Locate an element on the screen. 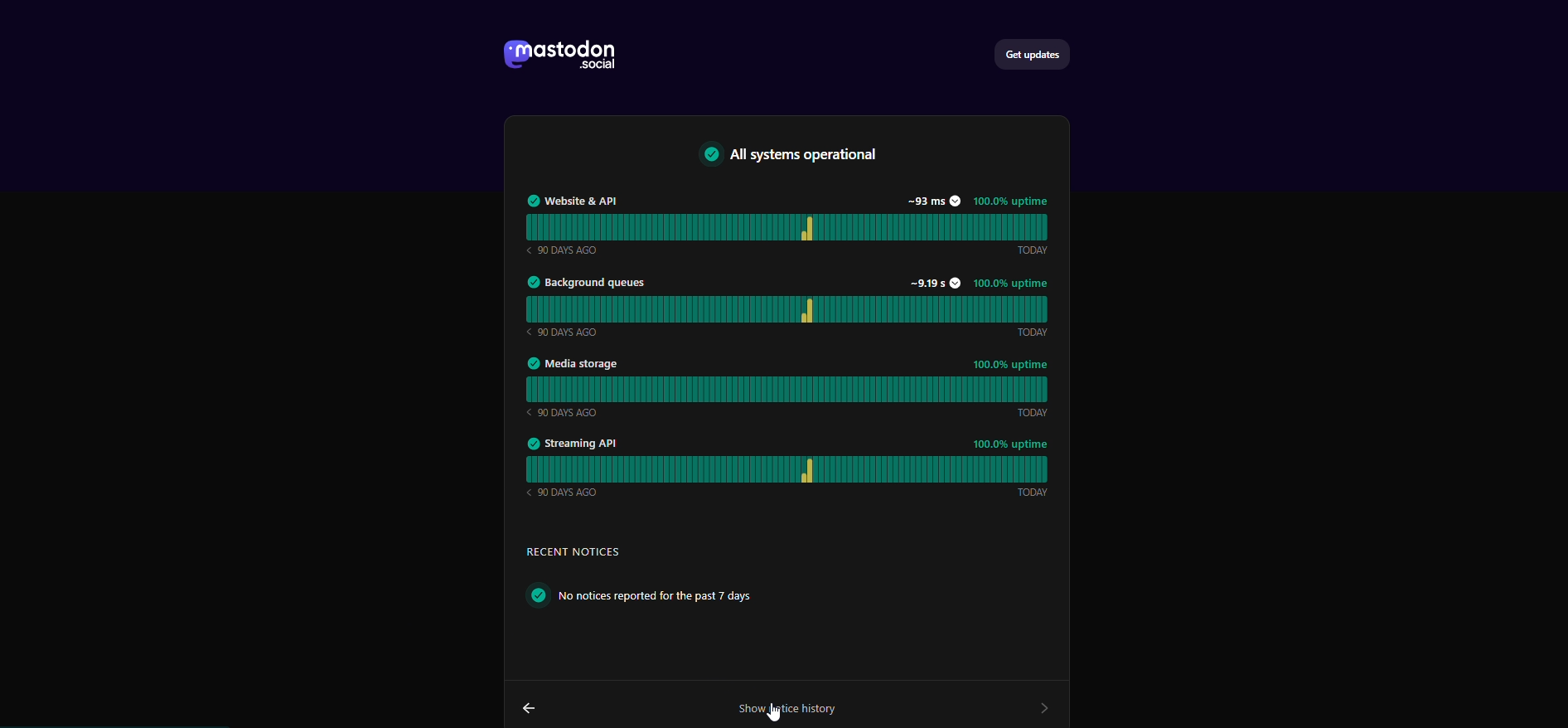 Image resolution: width=1568 pixels, height=728 pixels. instruction is located at coordinates (680, 596).